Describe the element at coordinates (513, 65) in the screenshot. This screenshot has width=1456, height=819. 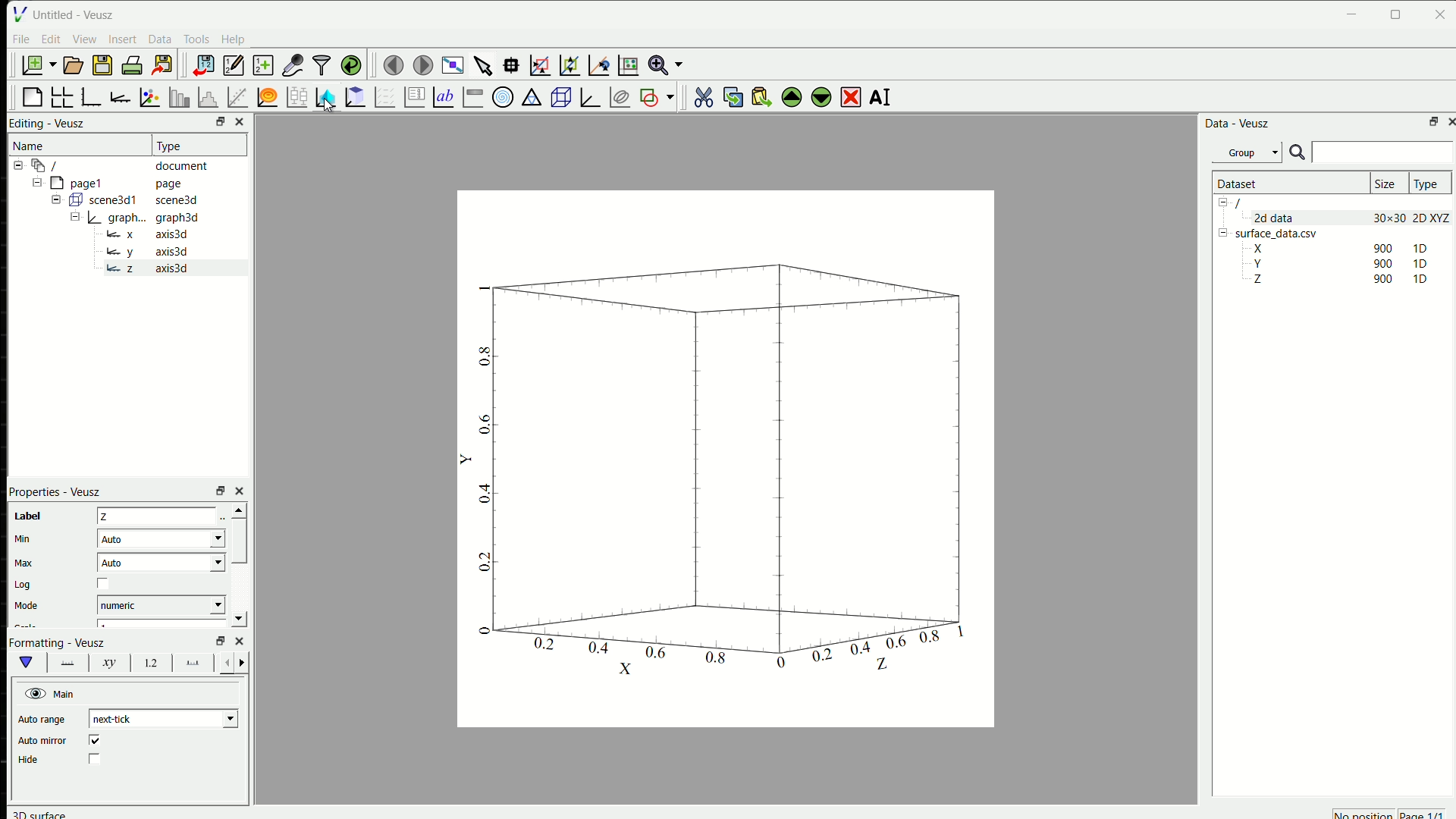
I see `read data points on the graph` at that location.